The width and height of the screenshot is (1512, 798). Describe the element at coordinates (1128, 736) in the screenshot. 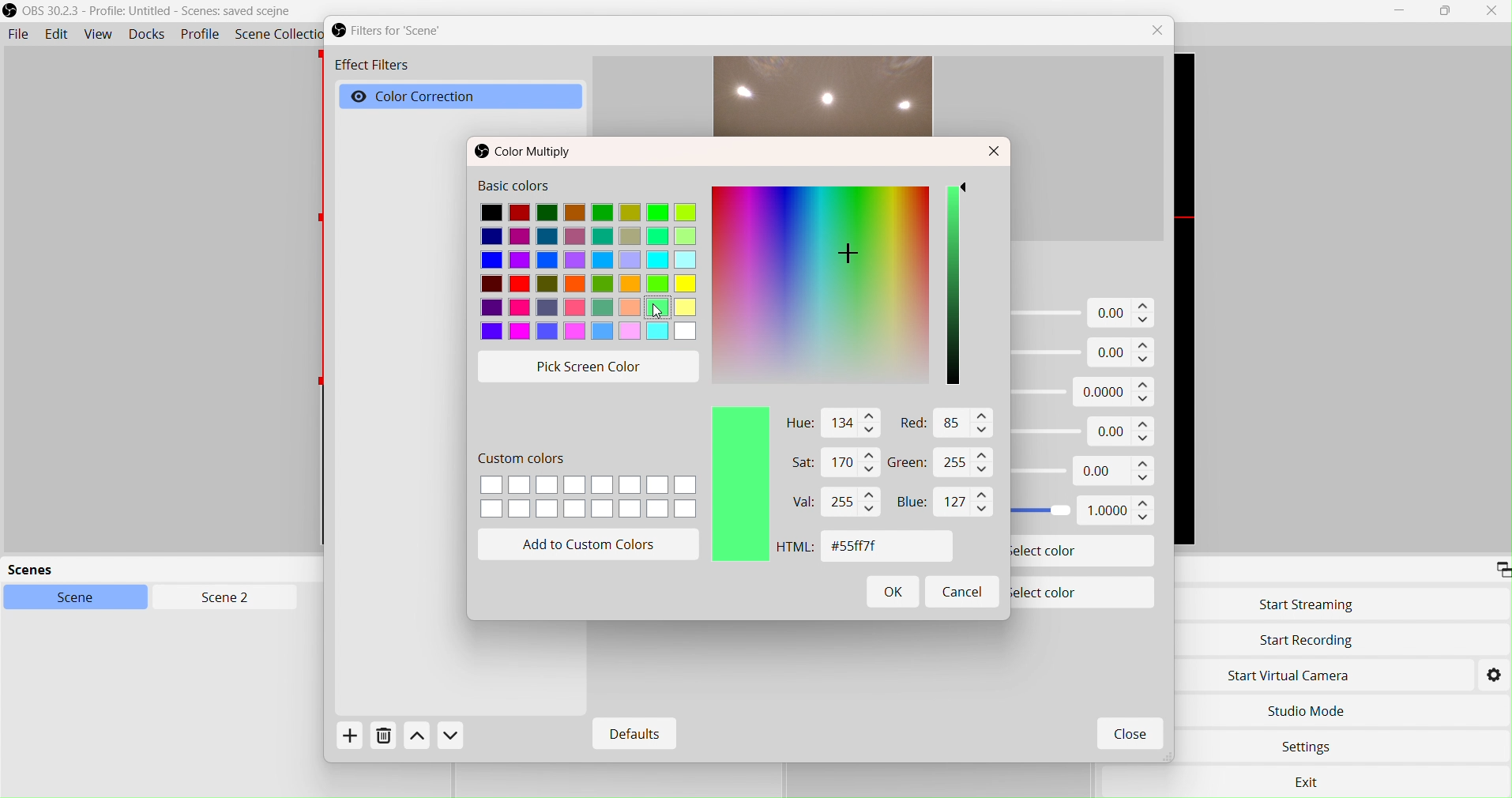

I see `Close` at that location.